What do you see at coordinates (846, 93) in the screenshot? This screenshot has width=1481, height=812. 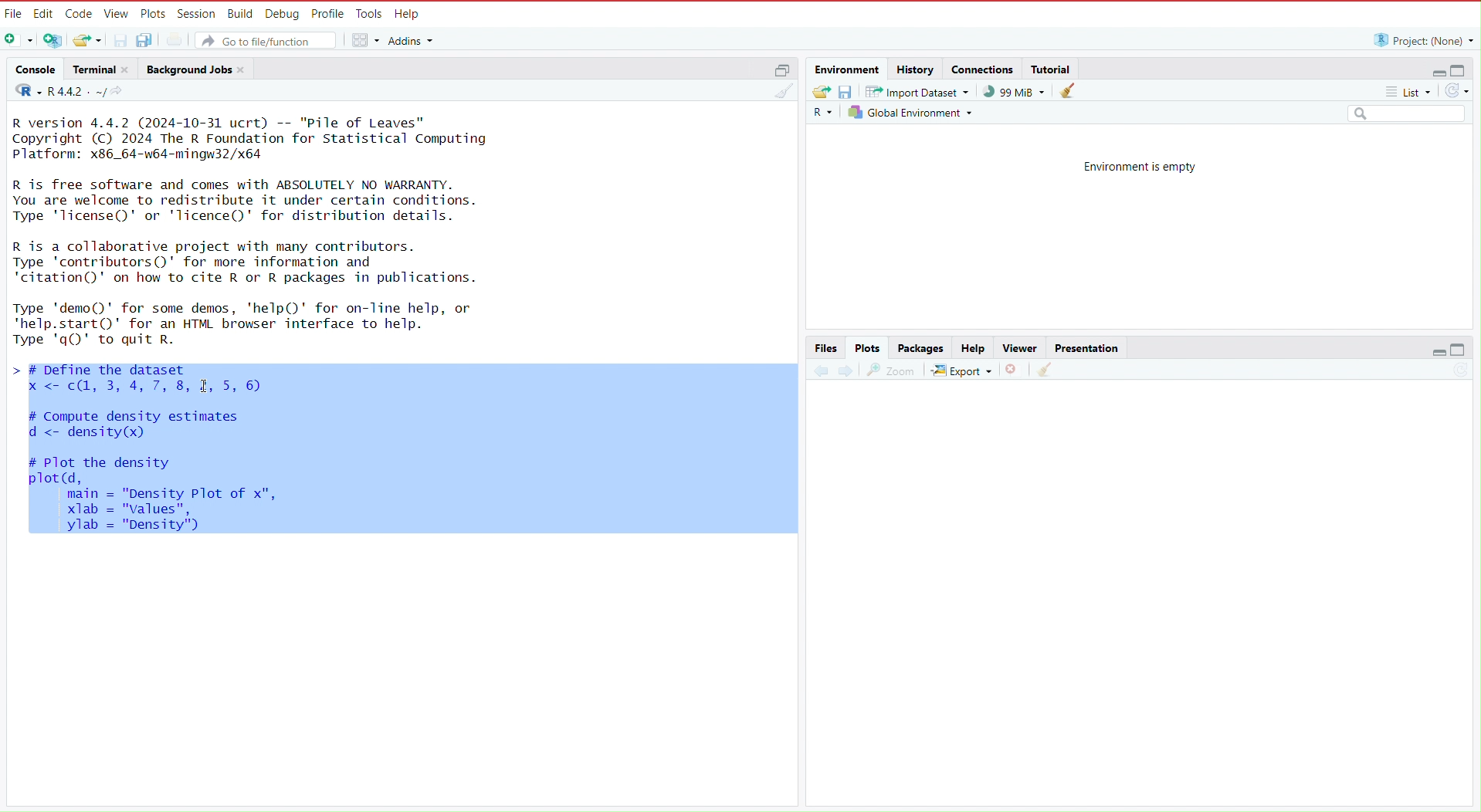 I see `save workspace as` at bounding box center [846, 93].